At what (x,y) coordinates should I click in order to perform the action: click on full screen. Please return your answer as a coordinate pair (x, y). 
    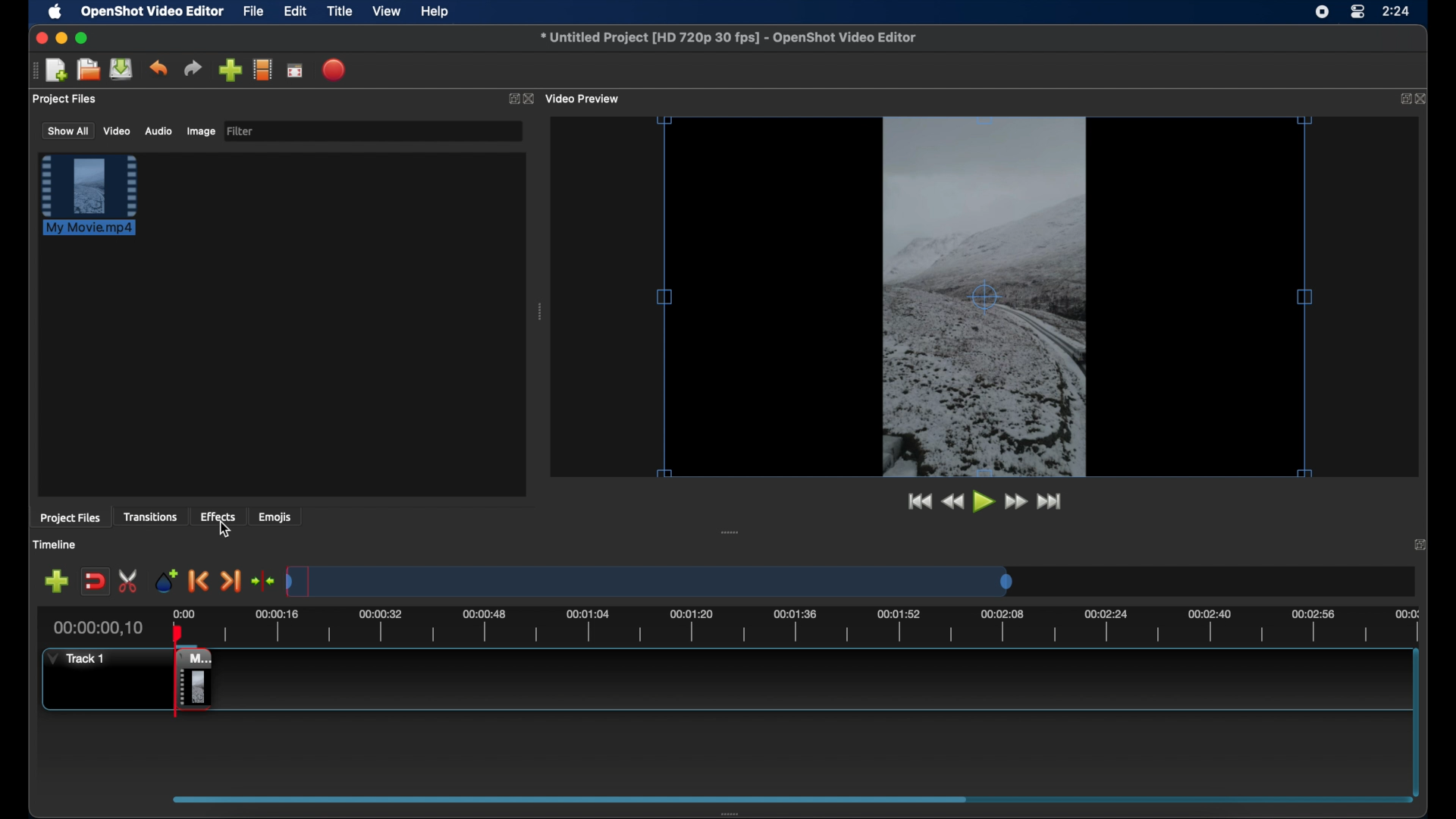
    Looking at the image, I should click on (295, 71).